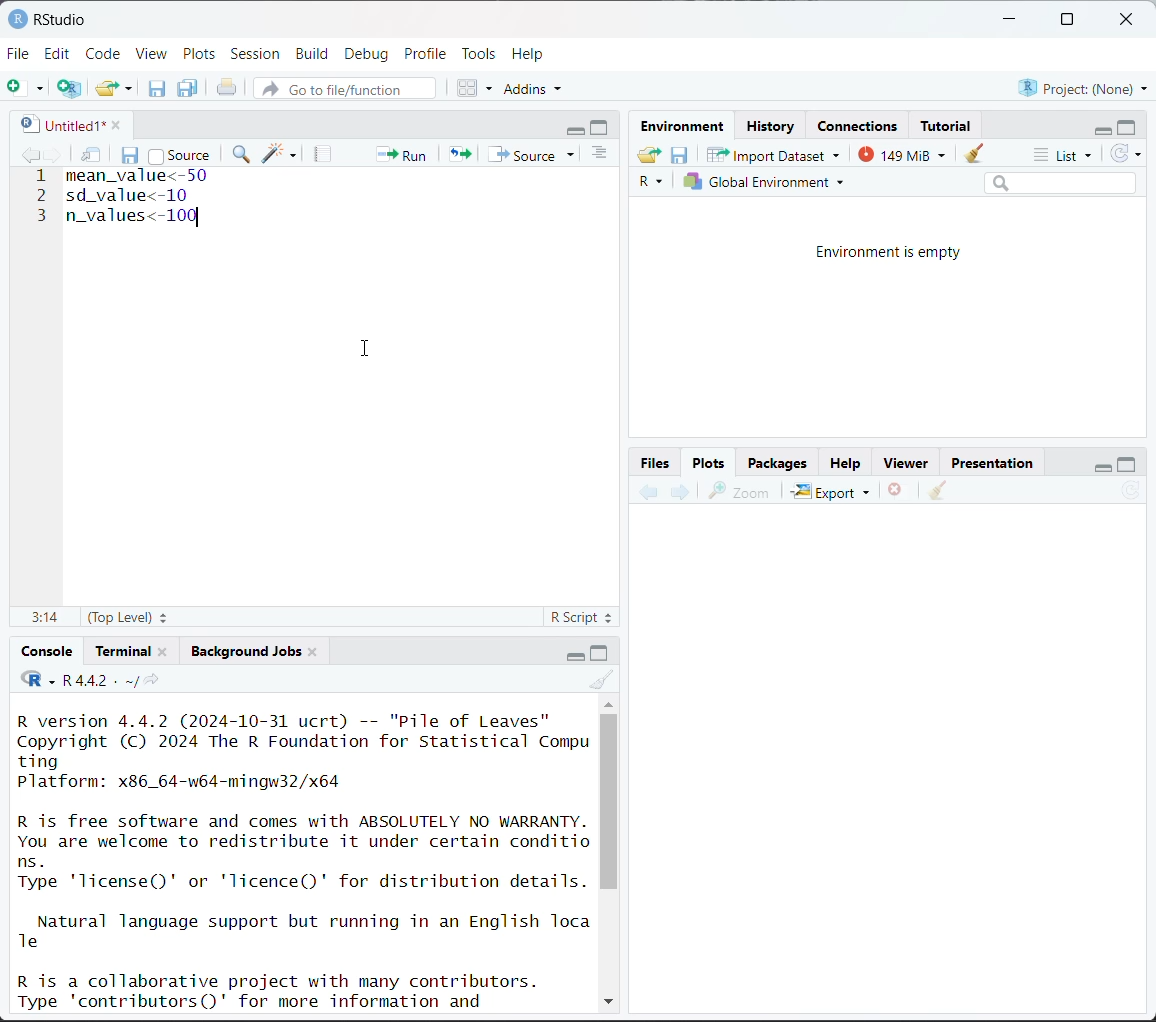 The width and height of the screenshot is (1156, 1022). Describe the element at coordinates (189, 88) in the screenshot. I see `save all open documents` at that location.